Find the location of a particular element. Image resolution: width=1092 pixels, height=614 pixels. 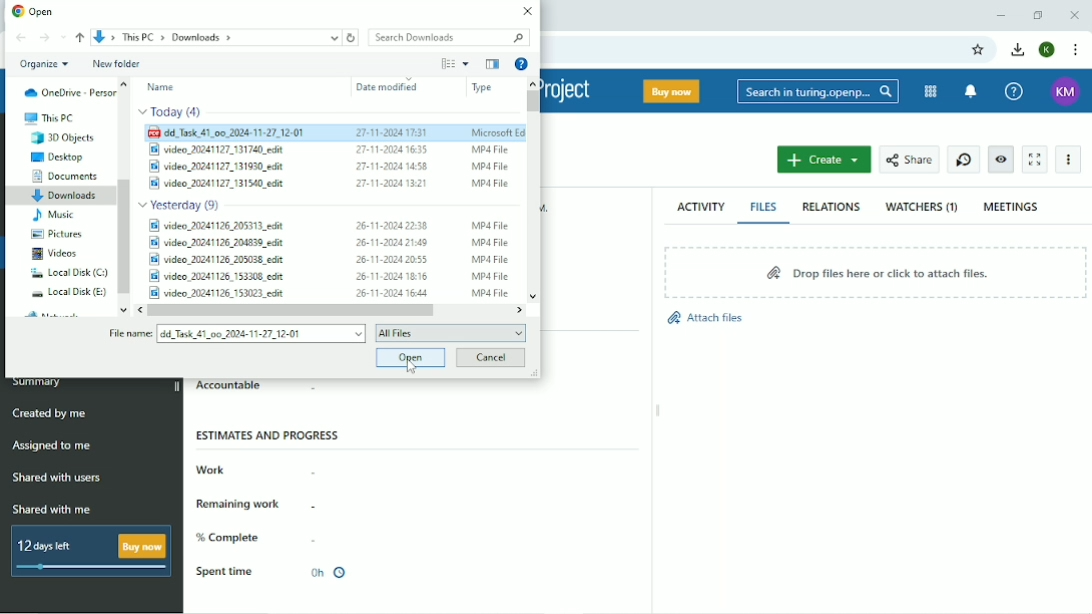

Summary is located at coordinates (39, 384).